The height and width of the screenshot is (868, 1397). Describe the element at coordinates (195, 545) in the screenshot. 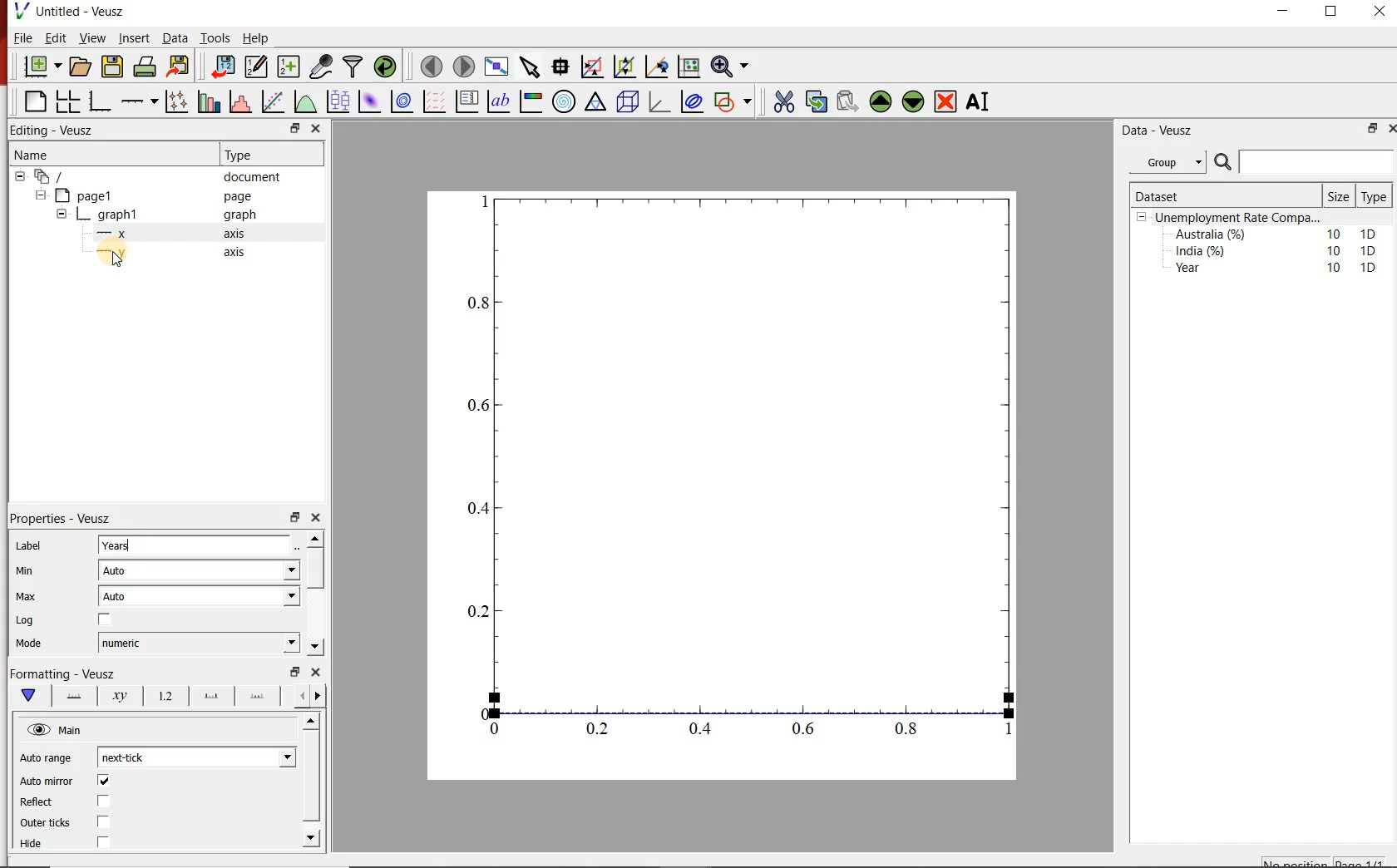

I see `years` at that location.